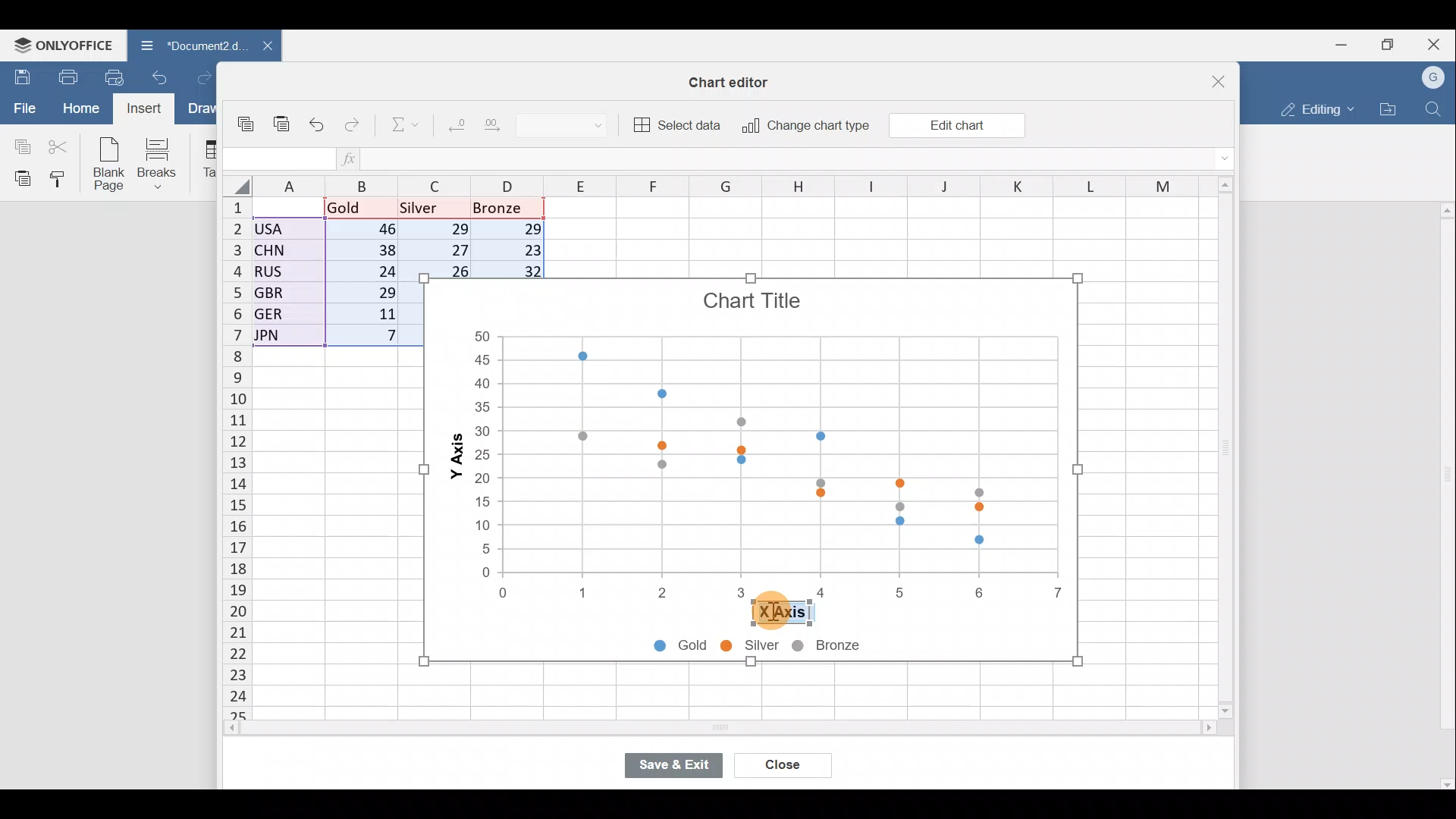 Image resolution: width=1456 pixels, height=819 pixels. What do you see at coordinates (1388, 108) in the screenshot?
I see `Open file location` at bounding box center [1388, 108].